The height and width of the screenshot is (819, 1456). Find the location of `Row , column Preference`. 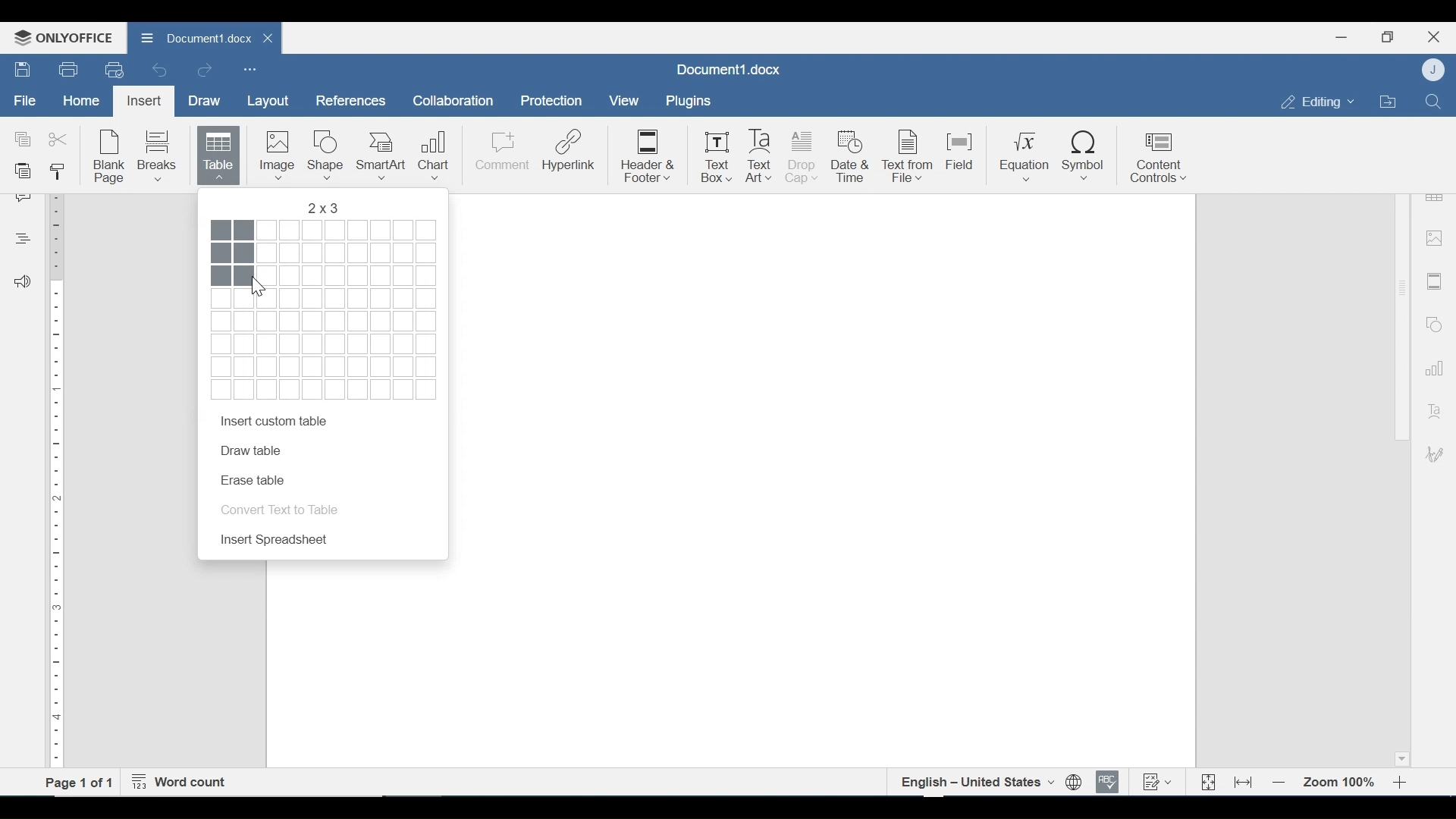

Row , column Preference is located at coordinates (325, 208).